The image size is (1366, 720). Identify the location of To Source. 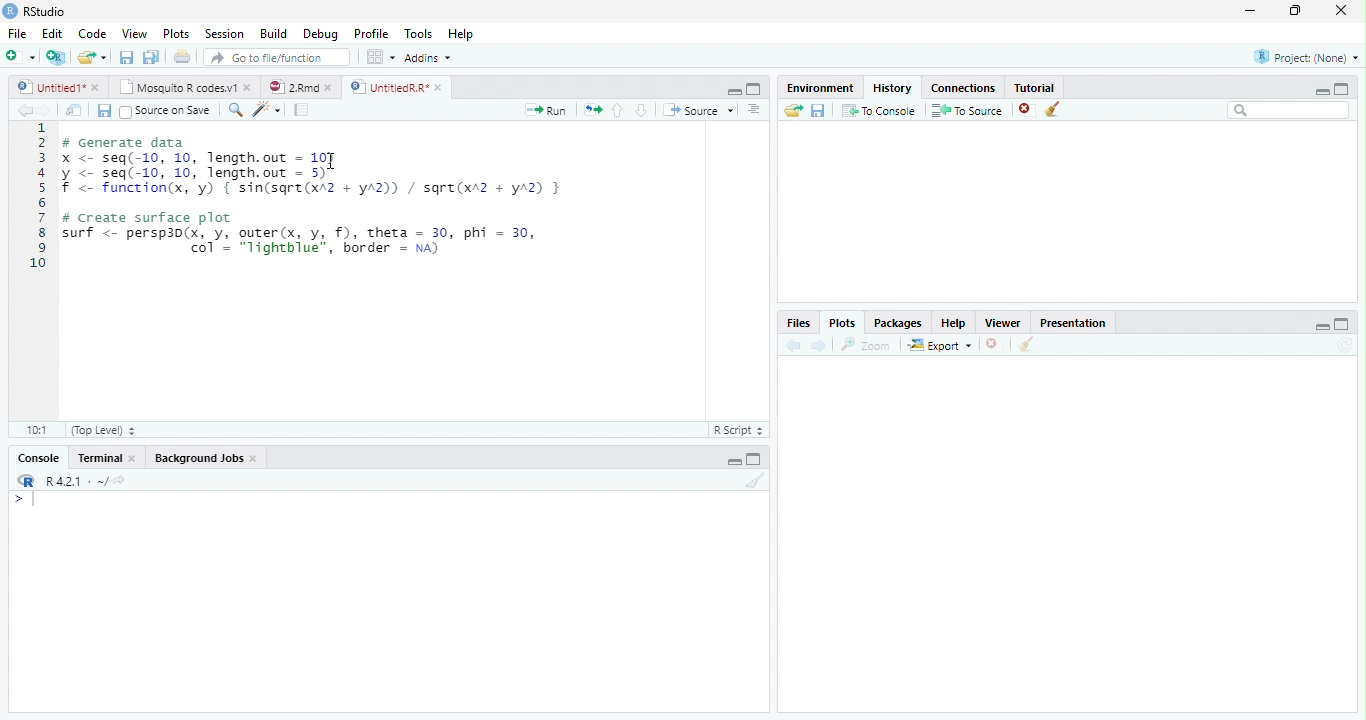
(966, 110).